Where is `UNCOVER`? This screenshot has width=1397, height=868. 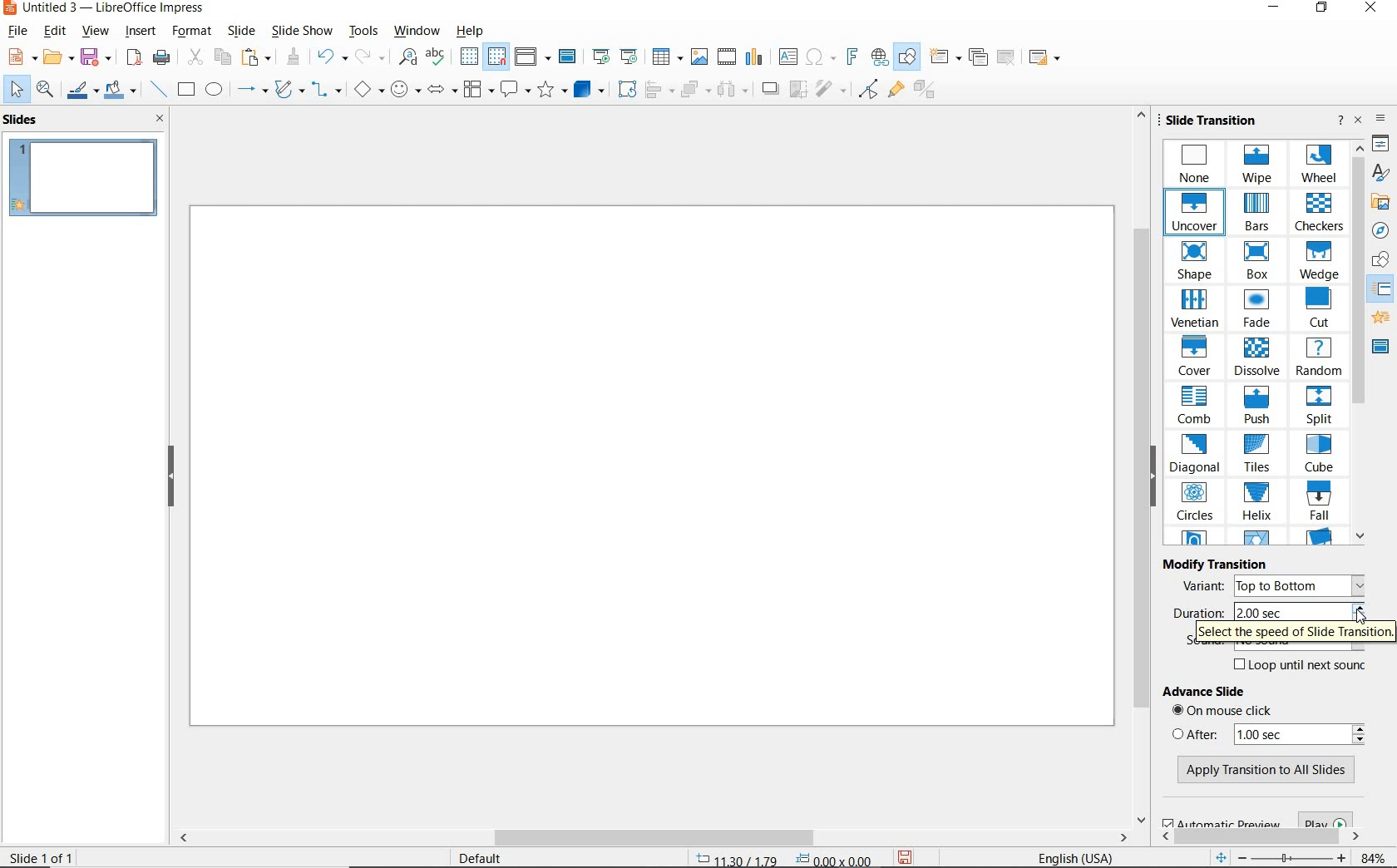
UNCOVER is located at coordinates (1197, 215).